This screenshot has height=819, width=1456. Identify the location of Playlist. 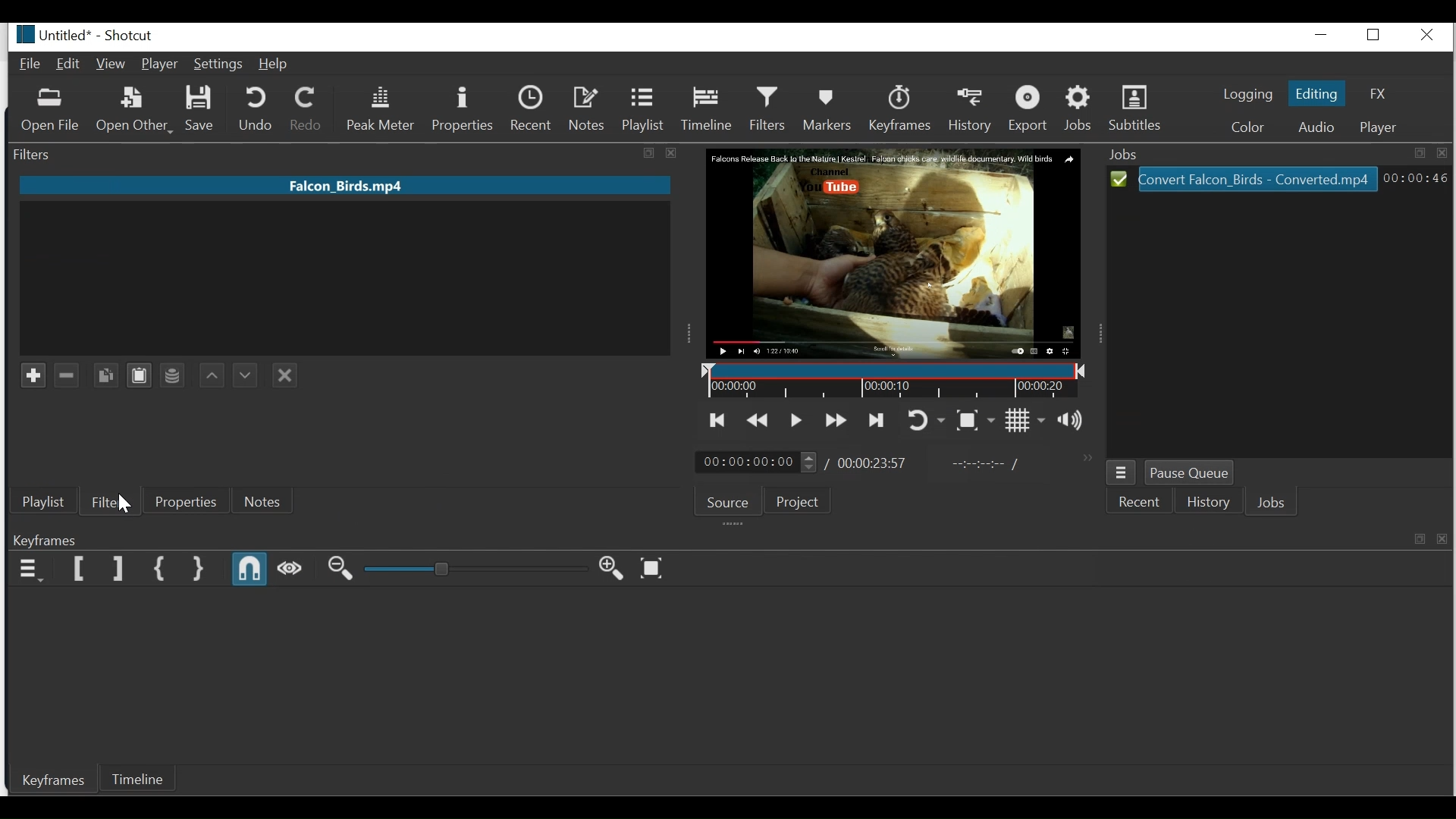
(43, 503).